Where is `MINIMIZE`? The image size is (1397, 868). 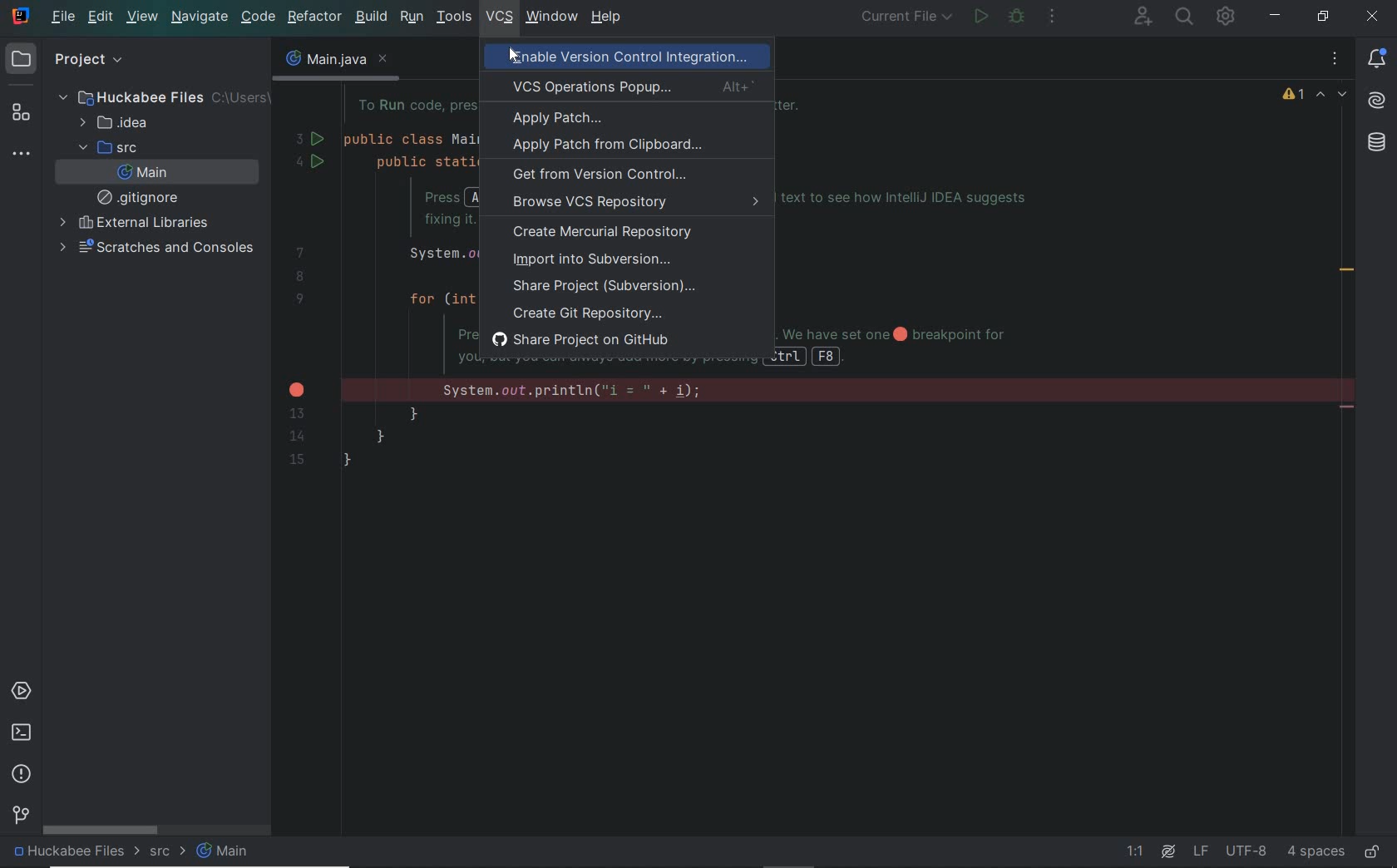
MINIMIZE is located at coordinates (1276, 18).